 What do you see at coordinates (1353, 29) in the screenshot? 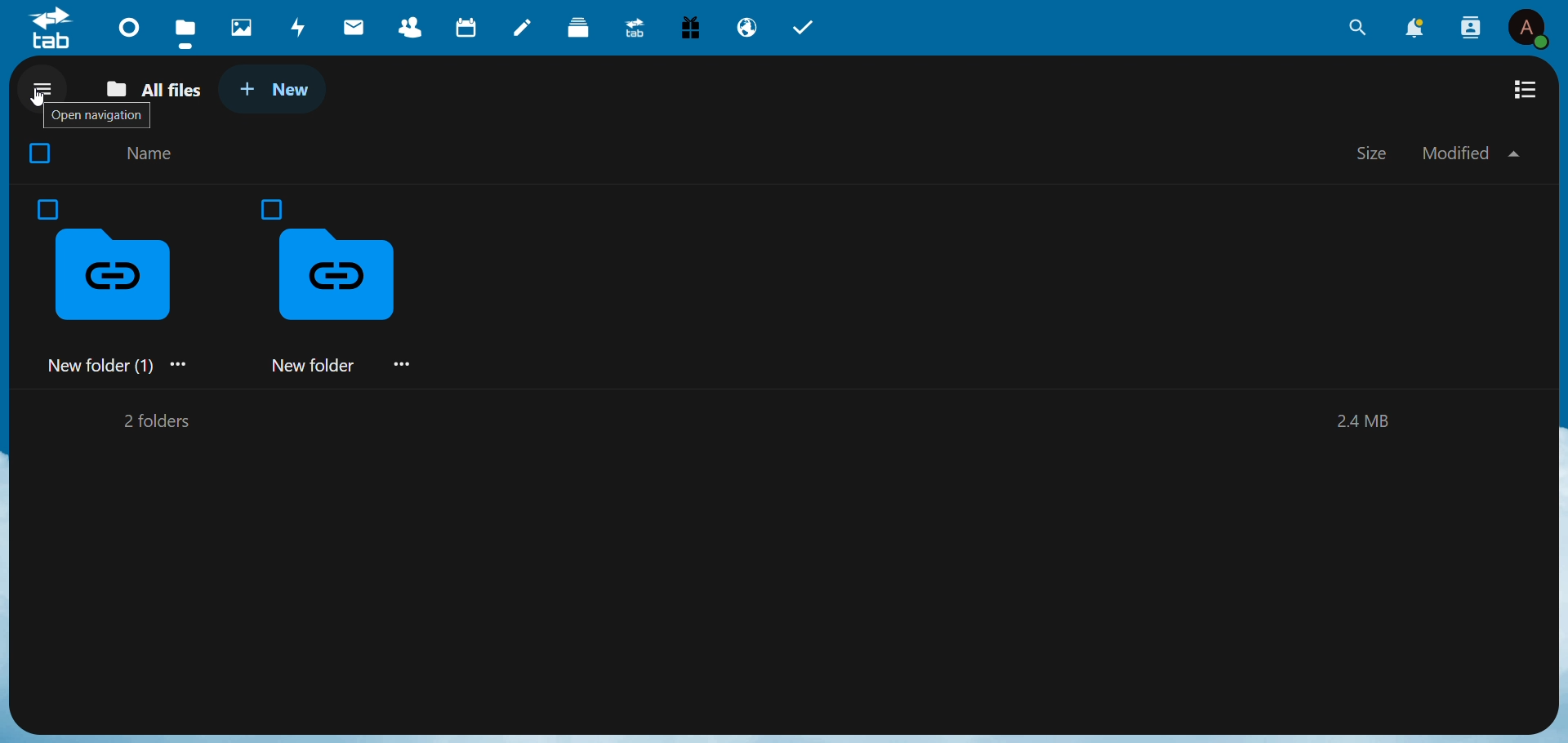
I see `search` at bounding box center [1353, 29].